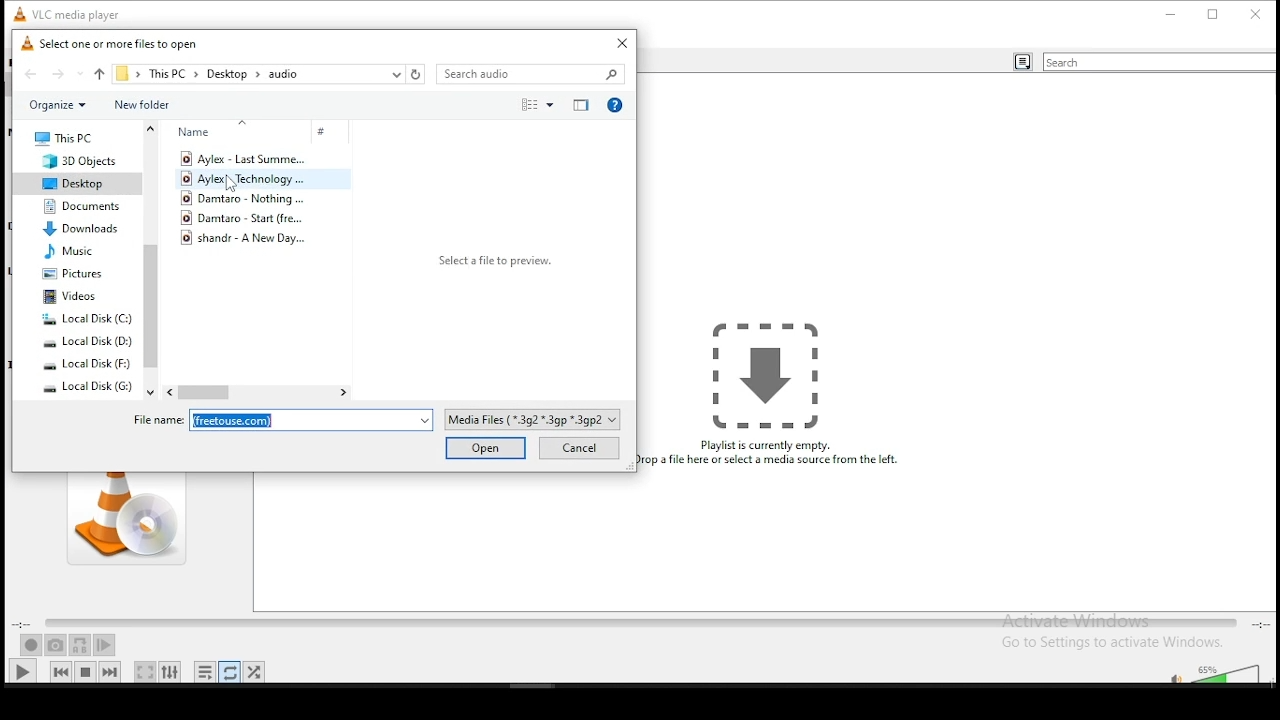  Describe the element at coordinates (619, 44) in the screenshot. I see `close window` at that location.